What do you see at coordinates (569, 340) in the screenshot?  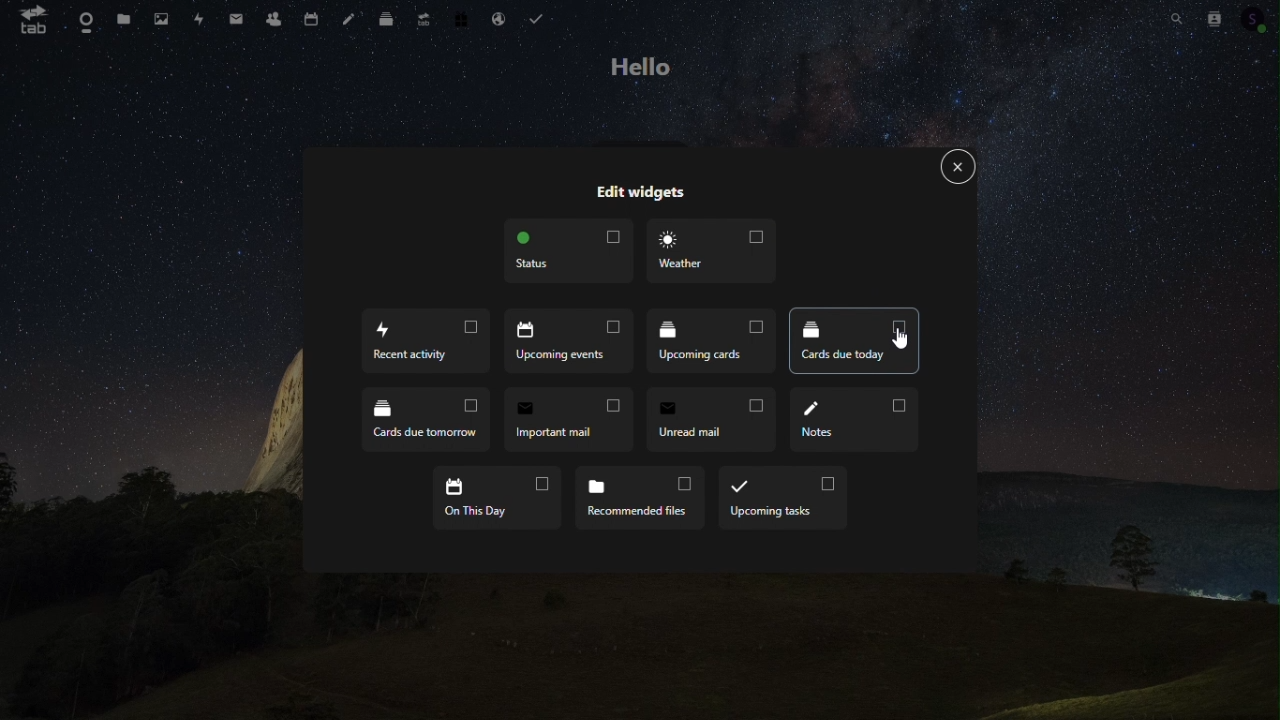 I see `Upcoming events` at bounding box center [569, 340].